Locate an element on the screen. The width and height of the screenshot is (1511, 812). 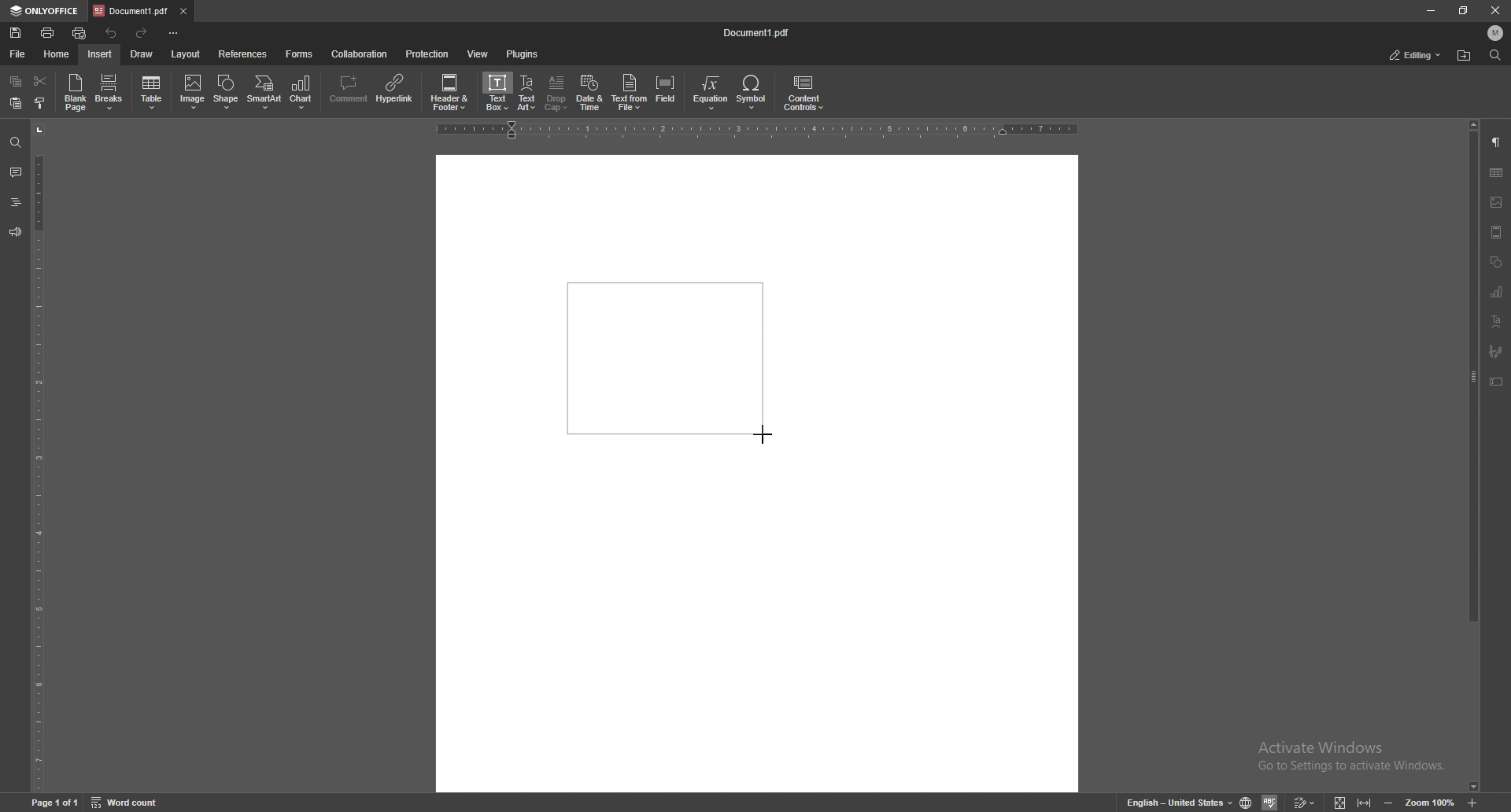
insert is located at coordinates (100, 54).